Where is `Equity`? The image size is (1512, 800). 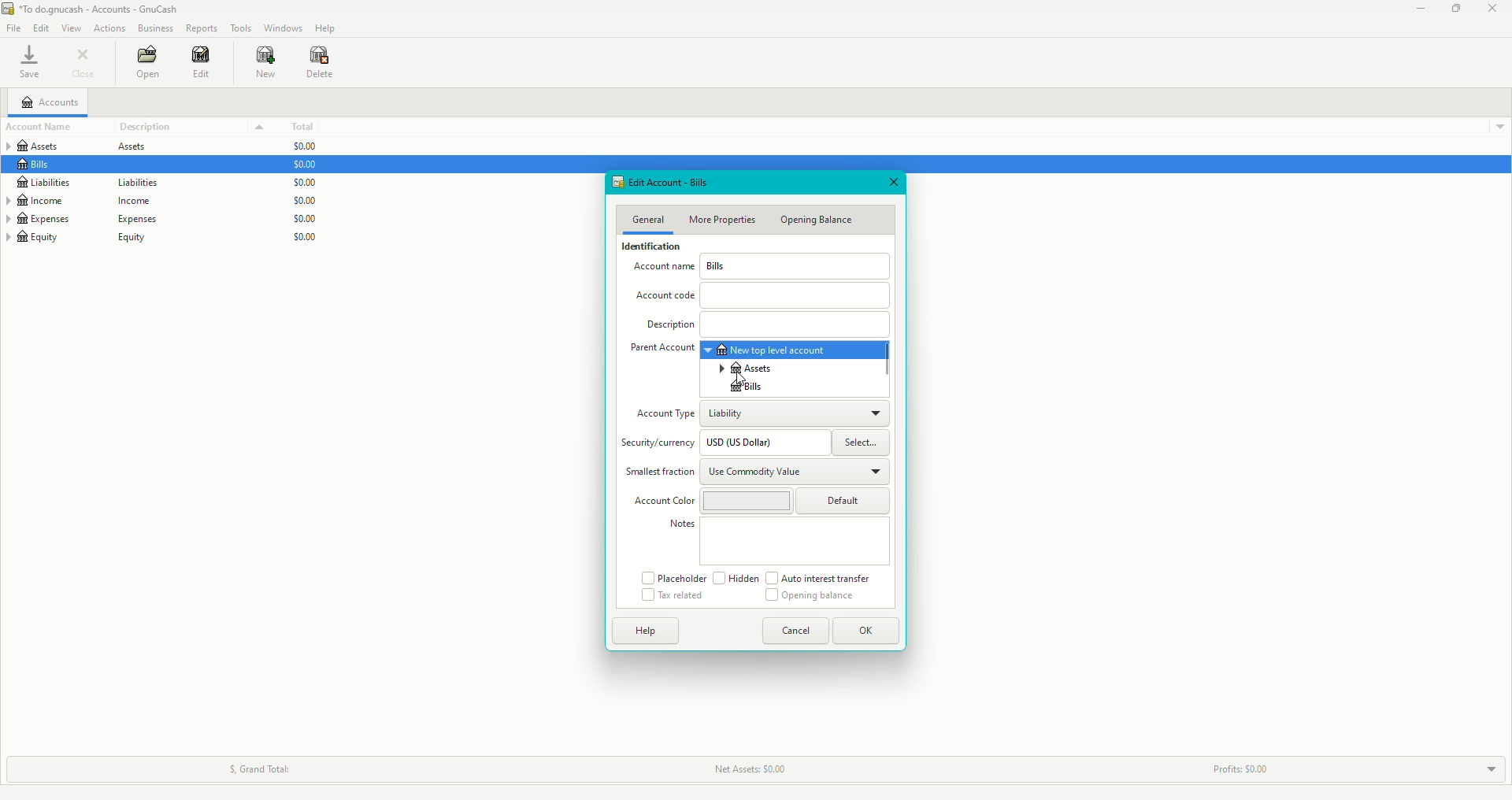
Equity is located at coordinates (83, 242).